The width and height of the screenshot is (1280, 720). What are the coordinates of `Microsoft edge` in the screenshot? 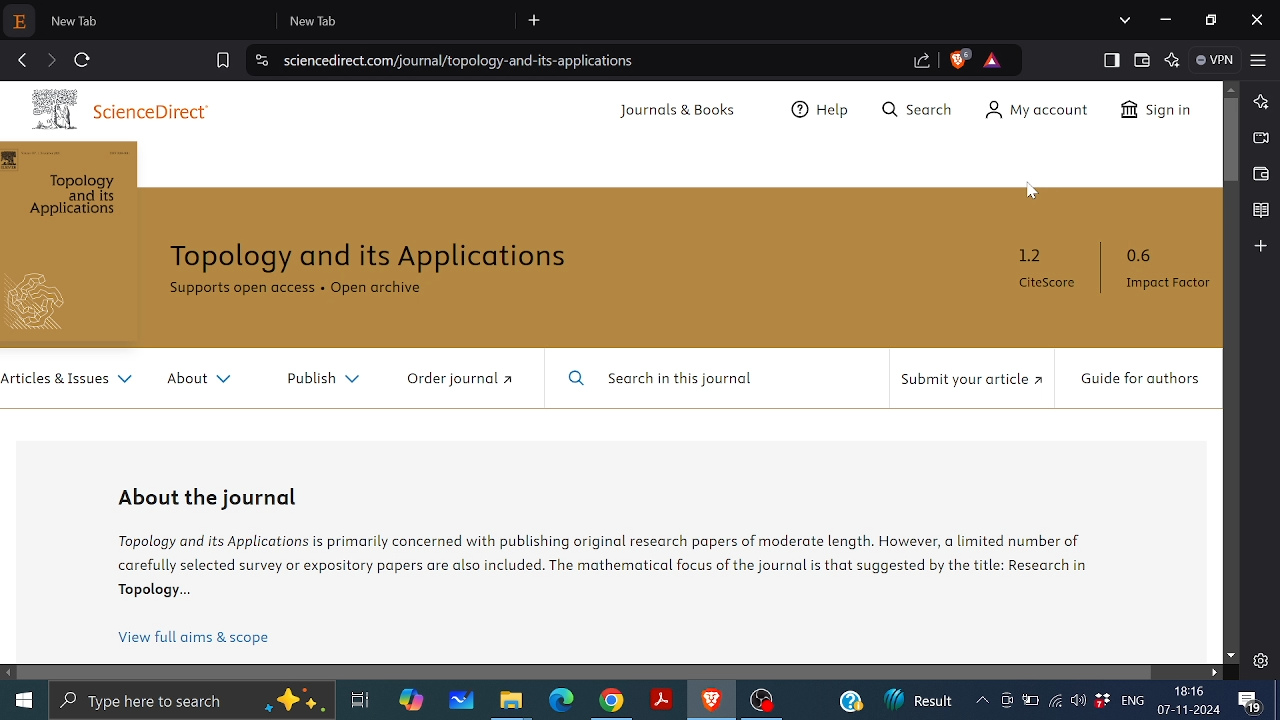 It's located at (561, 701).